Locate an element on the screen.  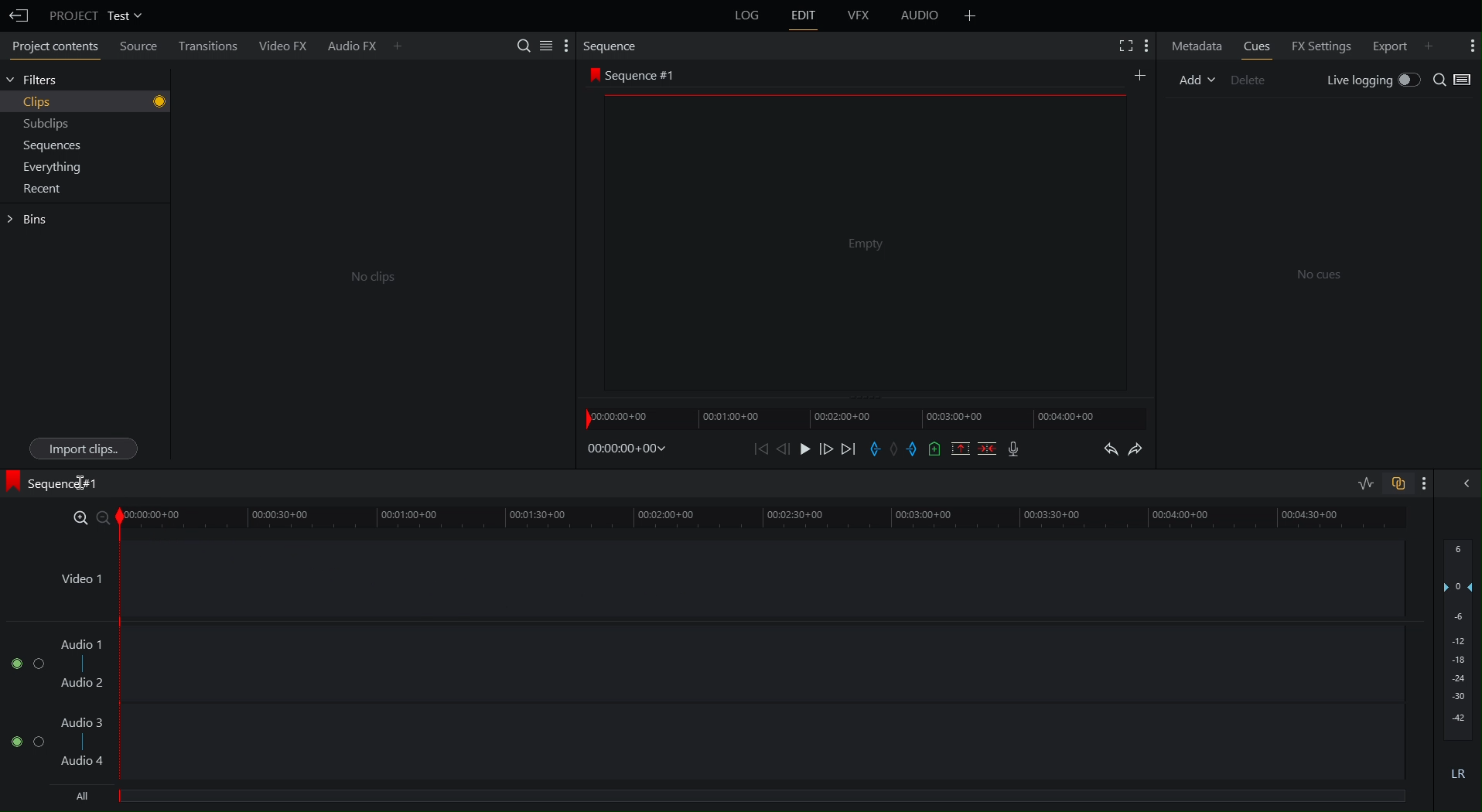
Audio 3 is located at coordinates (85, 722).